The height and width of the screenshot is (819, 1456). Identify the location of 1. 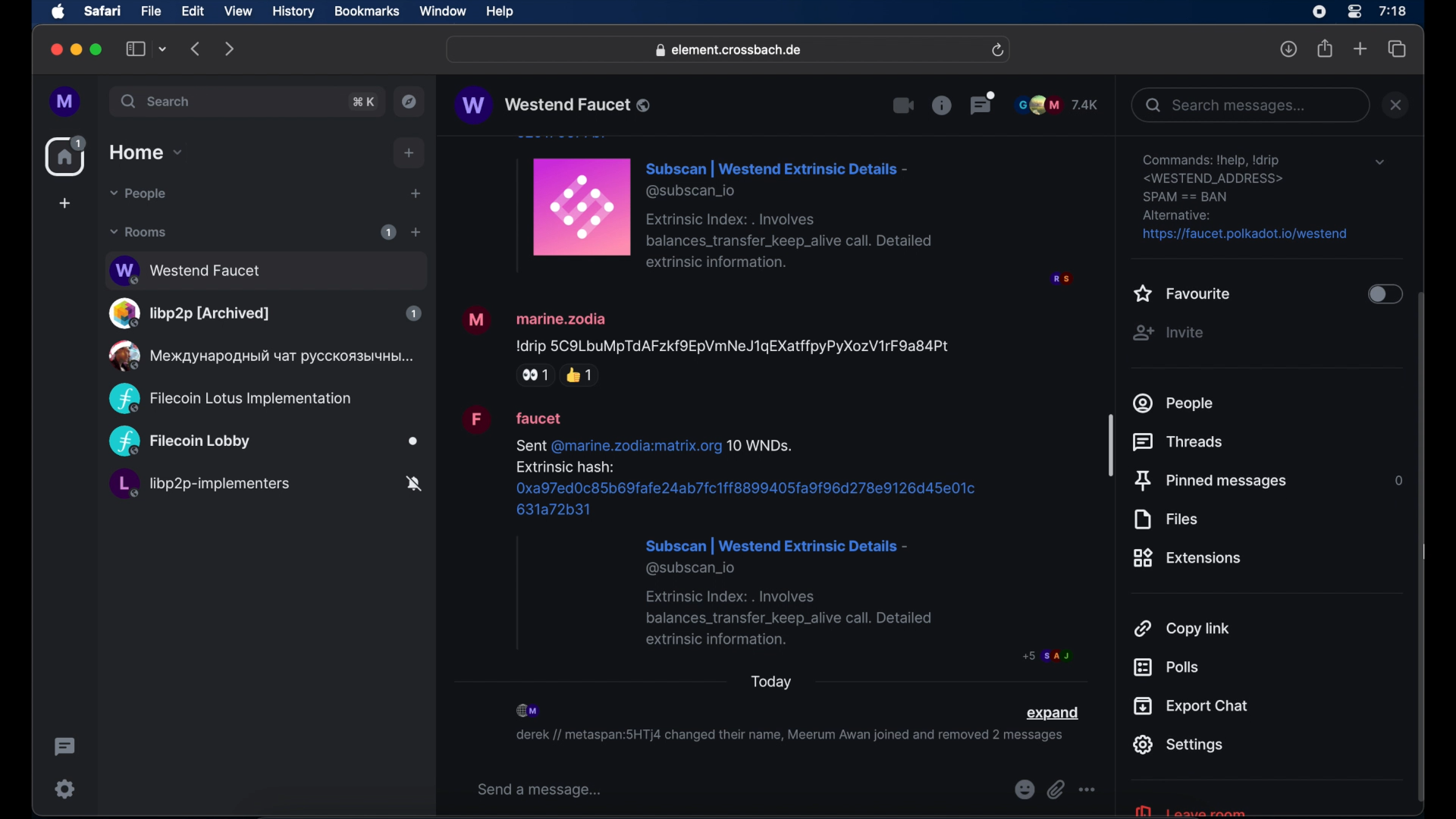
(388, 232).